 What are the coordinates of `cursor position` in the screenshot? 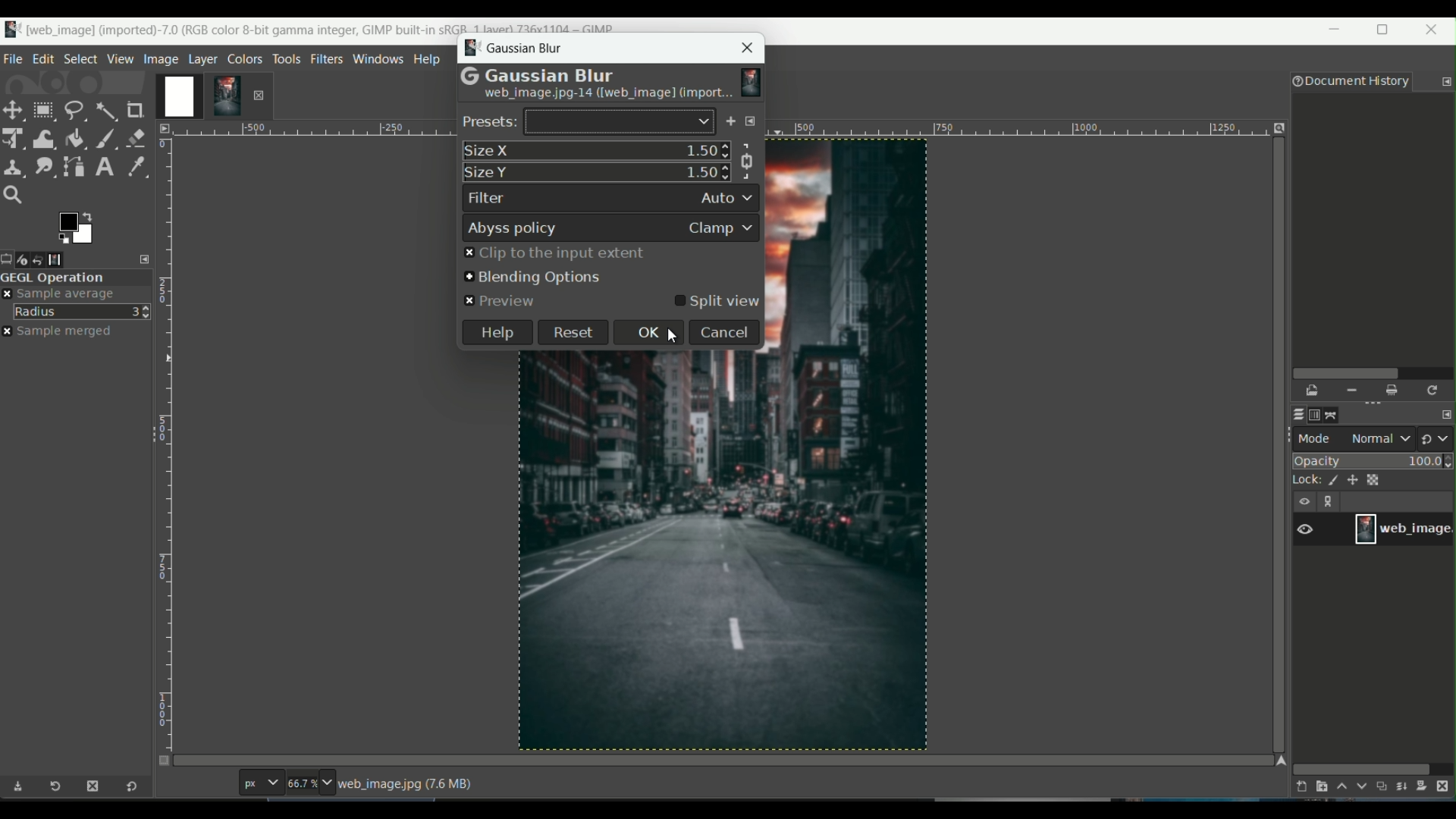 It's located at (199, 786).